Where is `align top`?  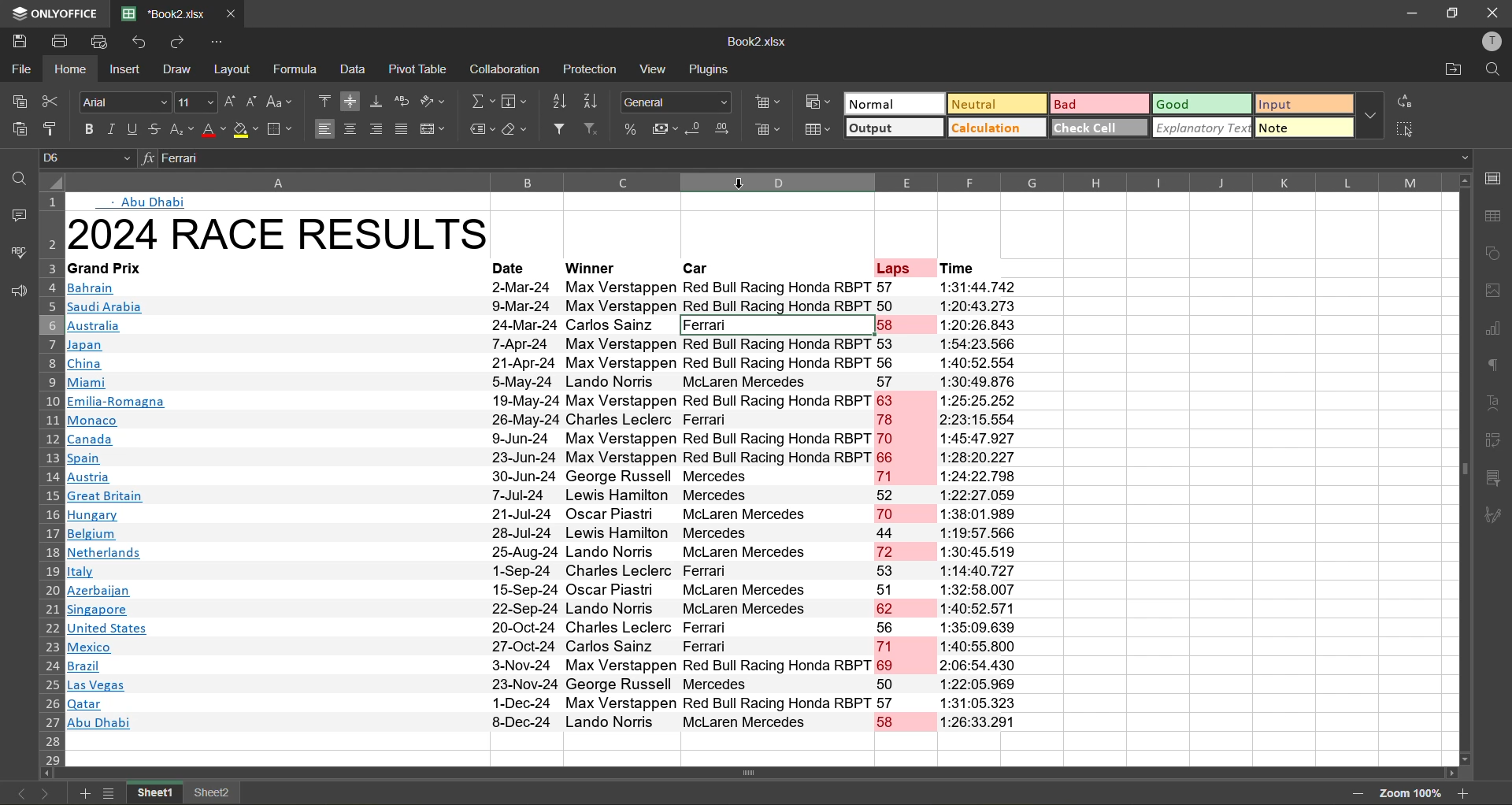
align top is located at coordinates (323, 101).